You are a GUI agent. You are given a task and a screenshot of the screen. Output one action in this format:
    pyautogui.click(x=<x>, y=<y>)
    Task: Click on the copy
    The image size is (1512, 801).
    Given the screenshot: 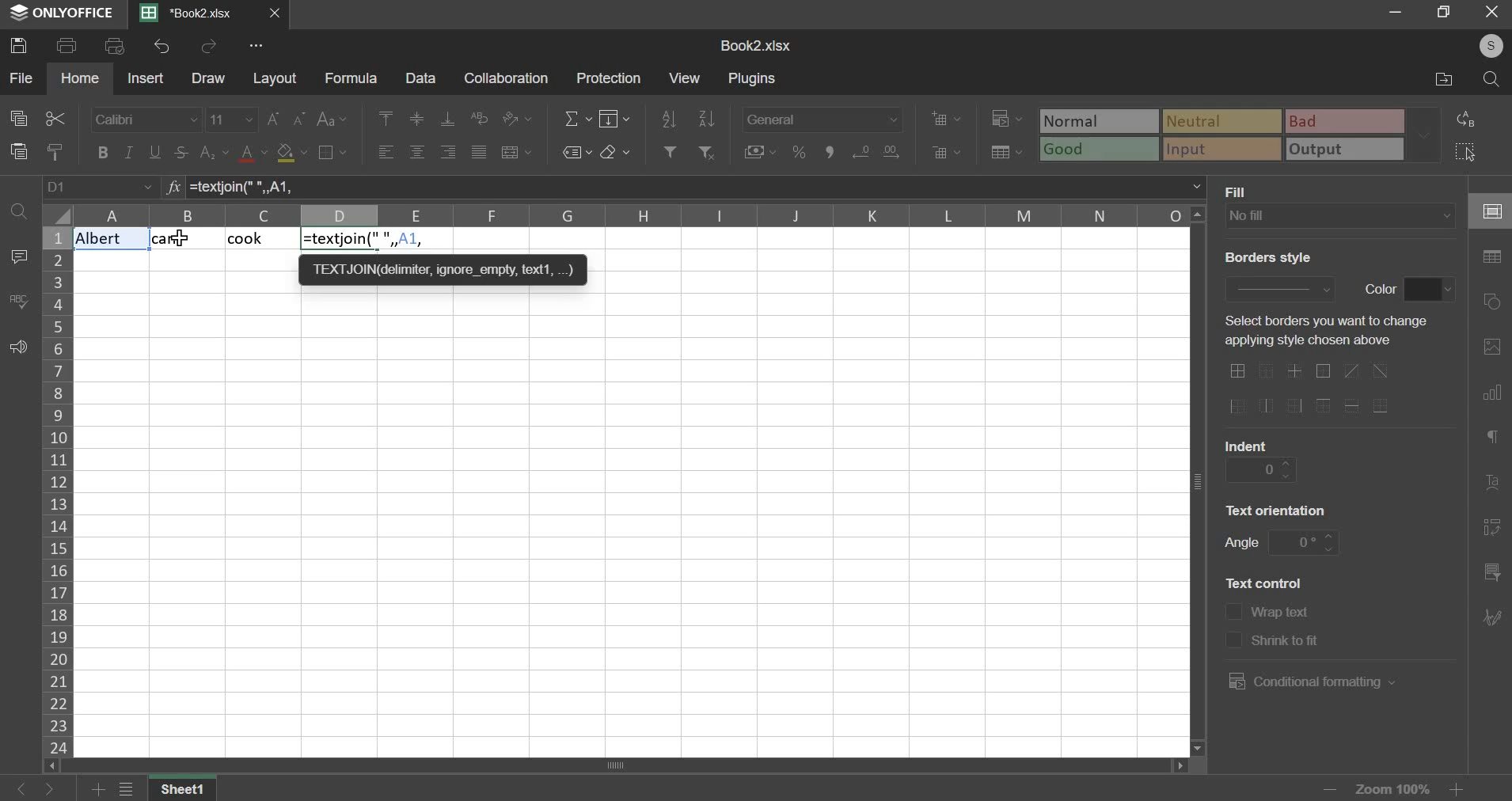 What is the action you would take?
    pyautogui.click(x=18, y=119)
    